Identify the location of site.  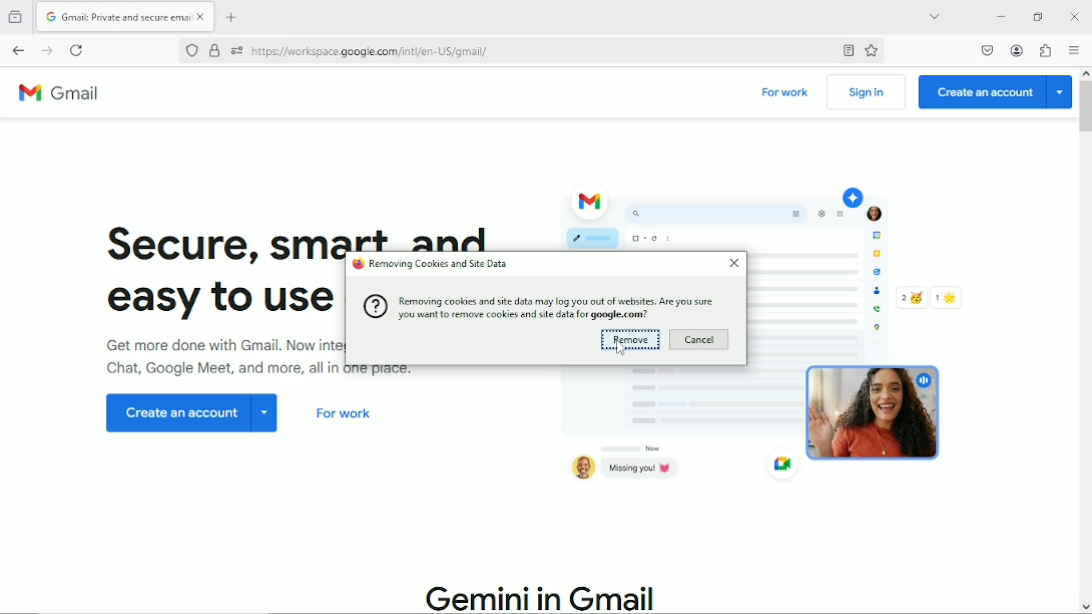
(371, 51).